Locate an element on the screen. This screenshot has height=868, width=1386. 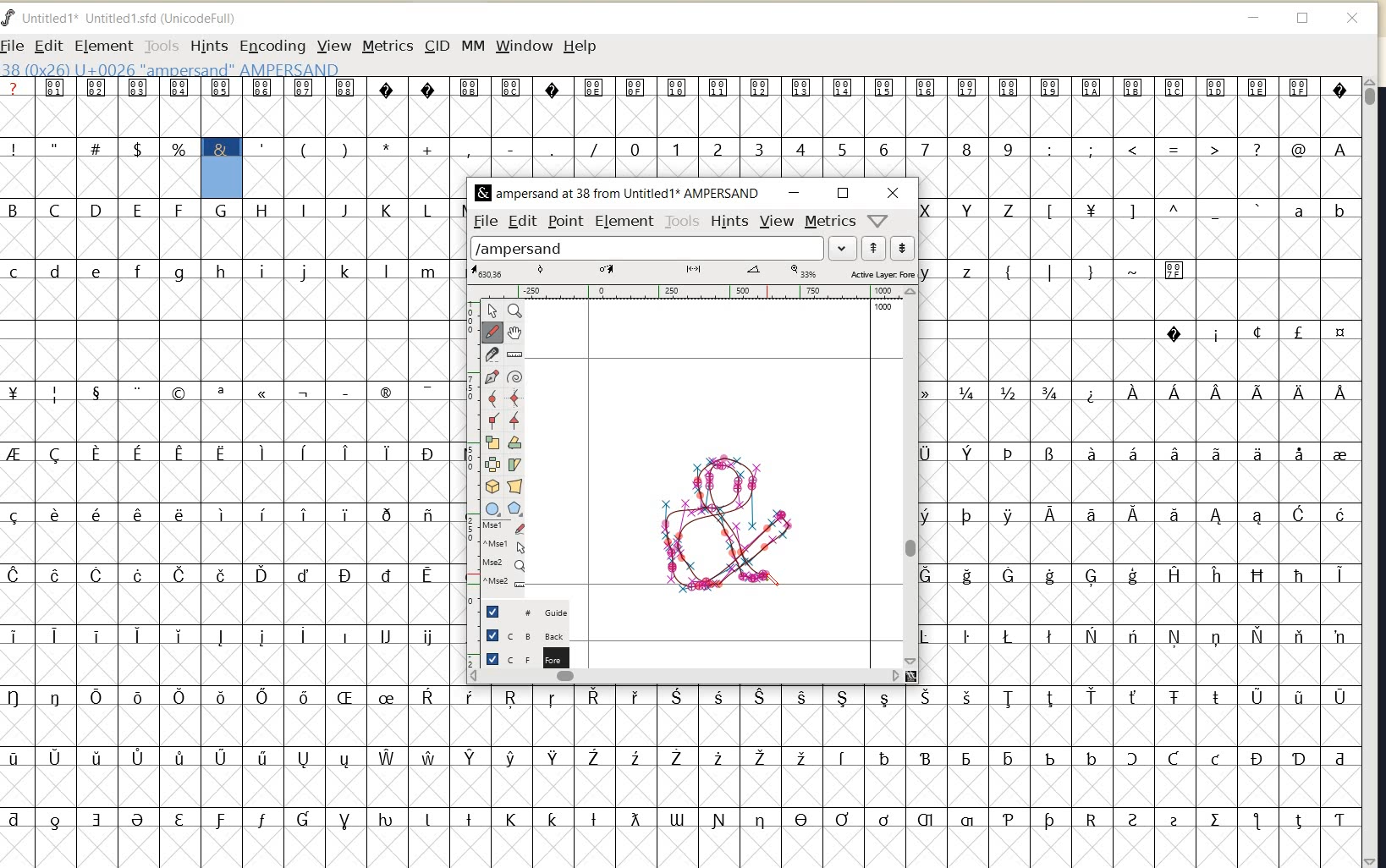
TOOLS is located at coordinates (683, 221).